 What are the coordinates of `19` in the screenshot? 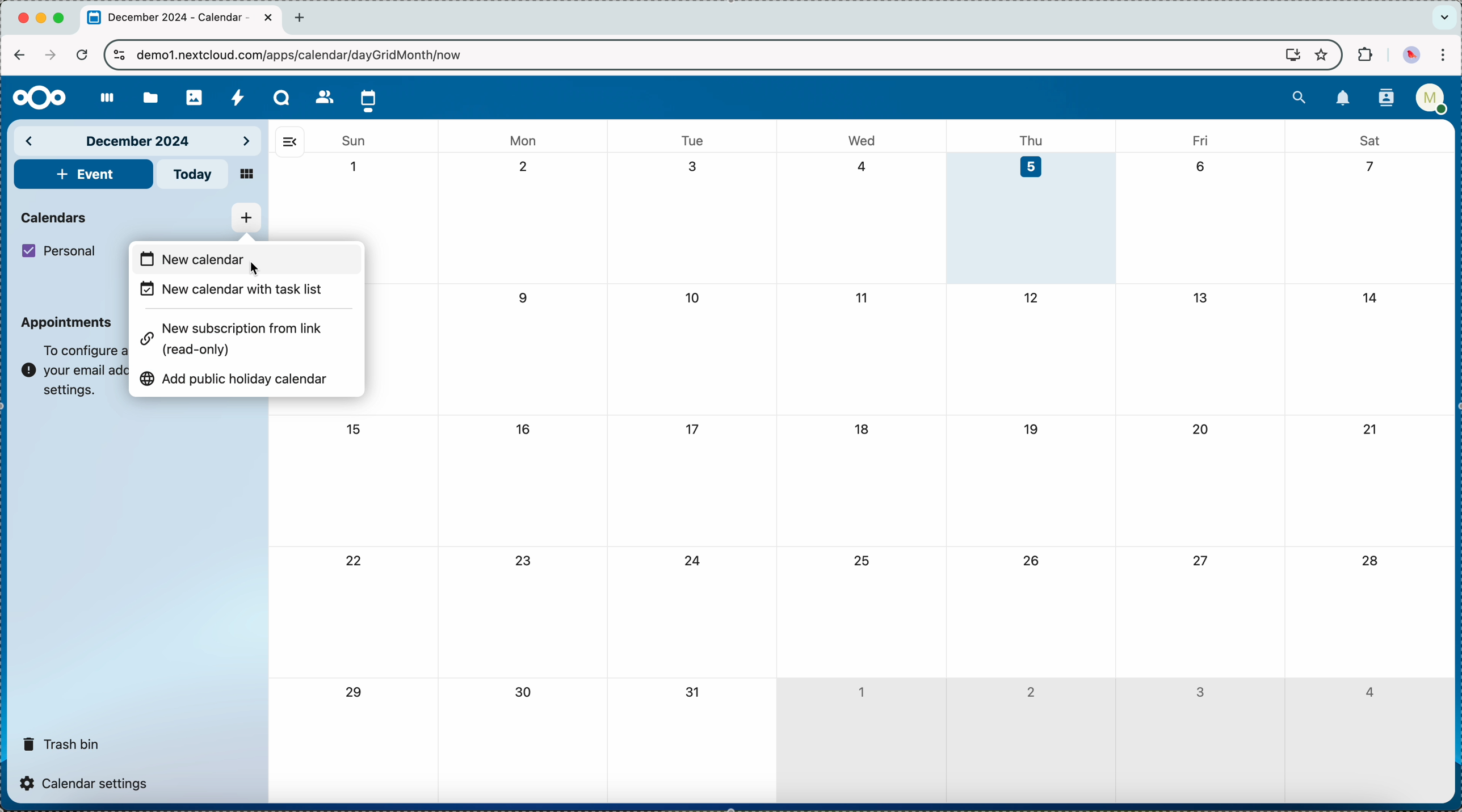 It's located at (1032, 428).